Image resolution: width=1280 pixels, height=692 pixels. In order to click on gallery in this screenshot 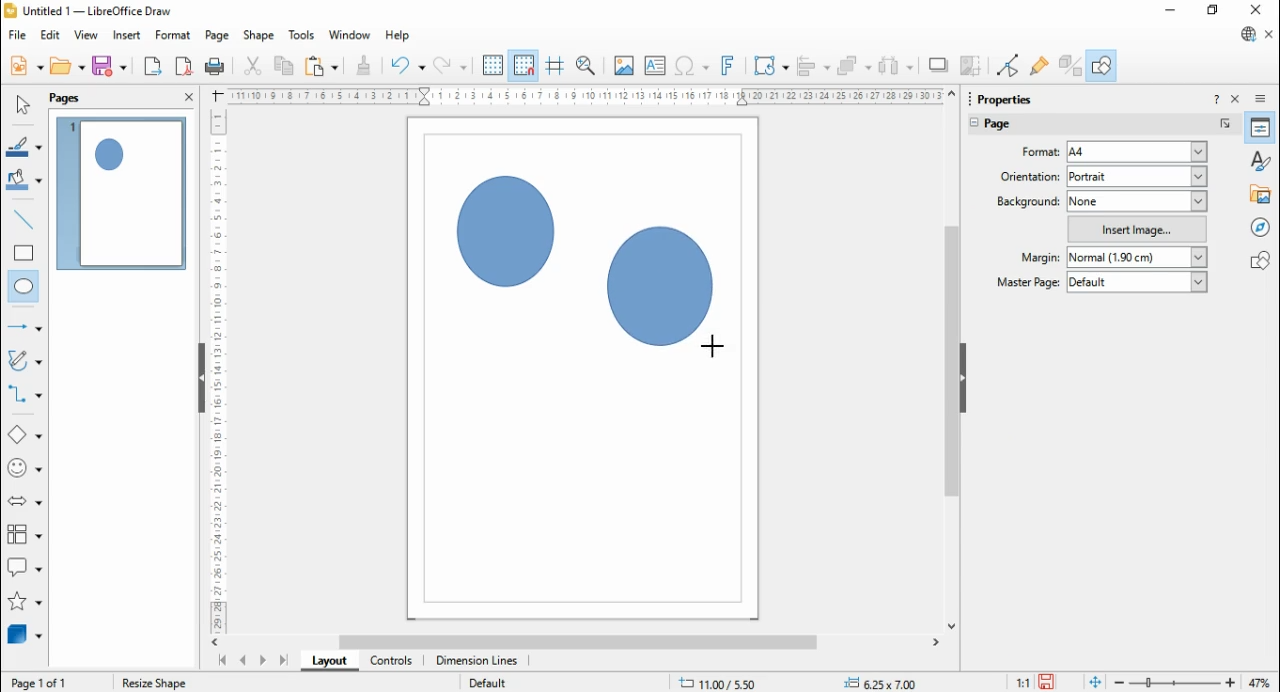, I will do `click(1262, 193)`.